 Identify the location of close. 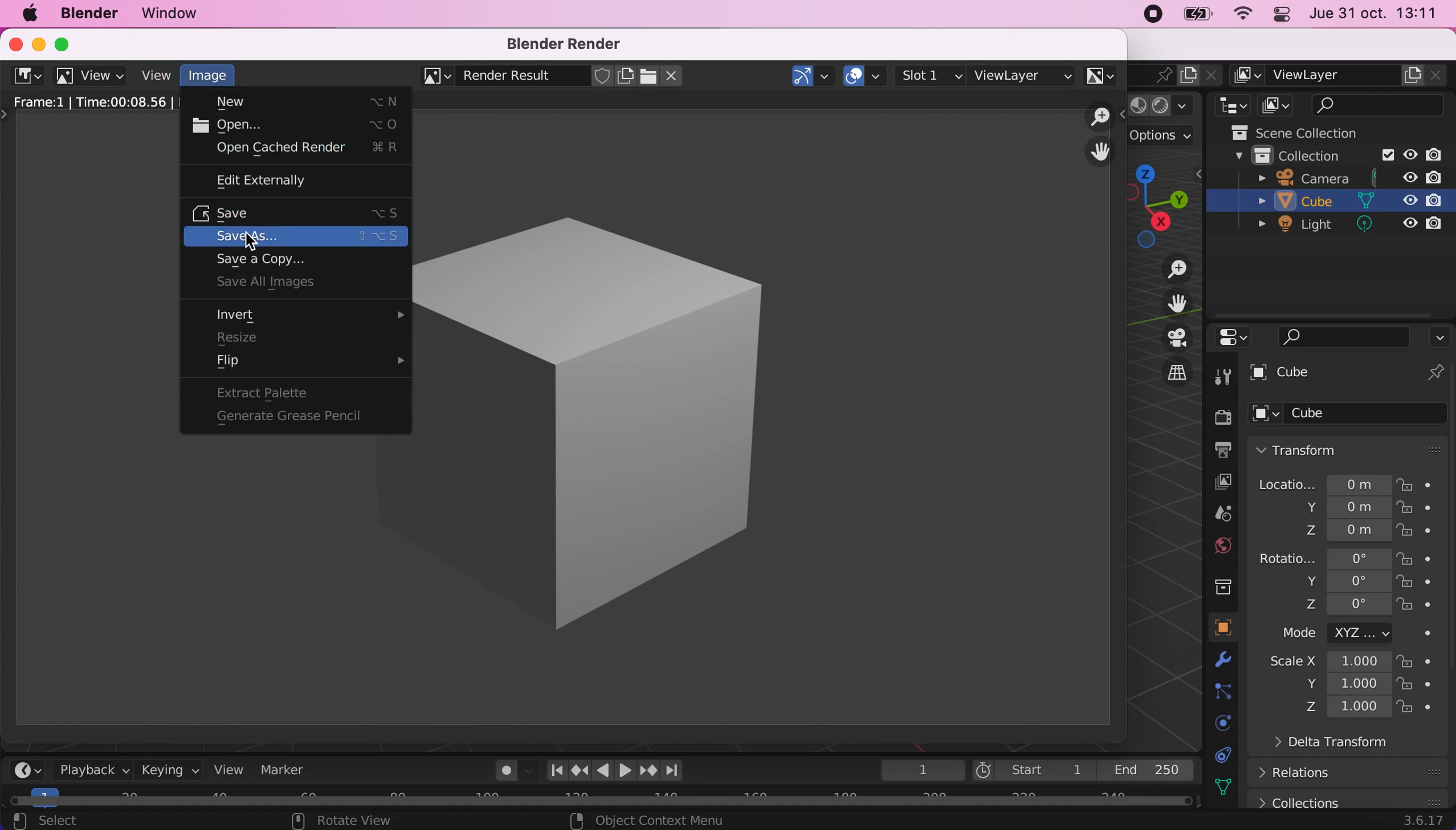
(13, 43).